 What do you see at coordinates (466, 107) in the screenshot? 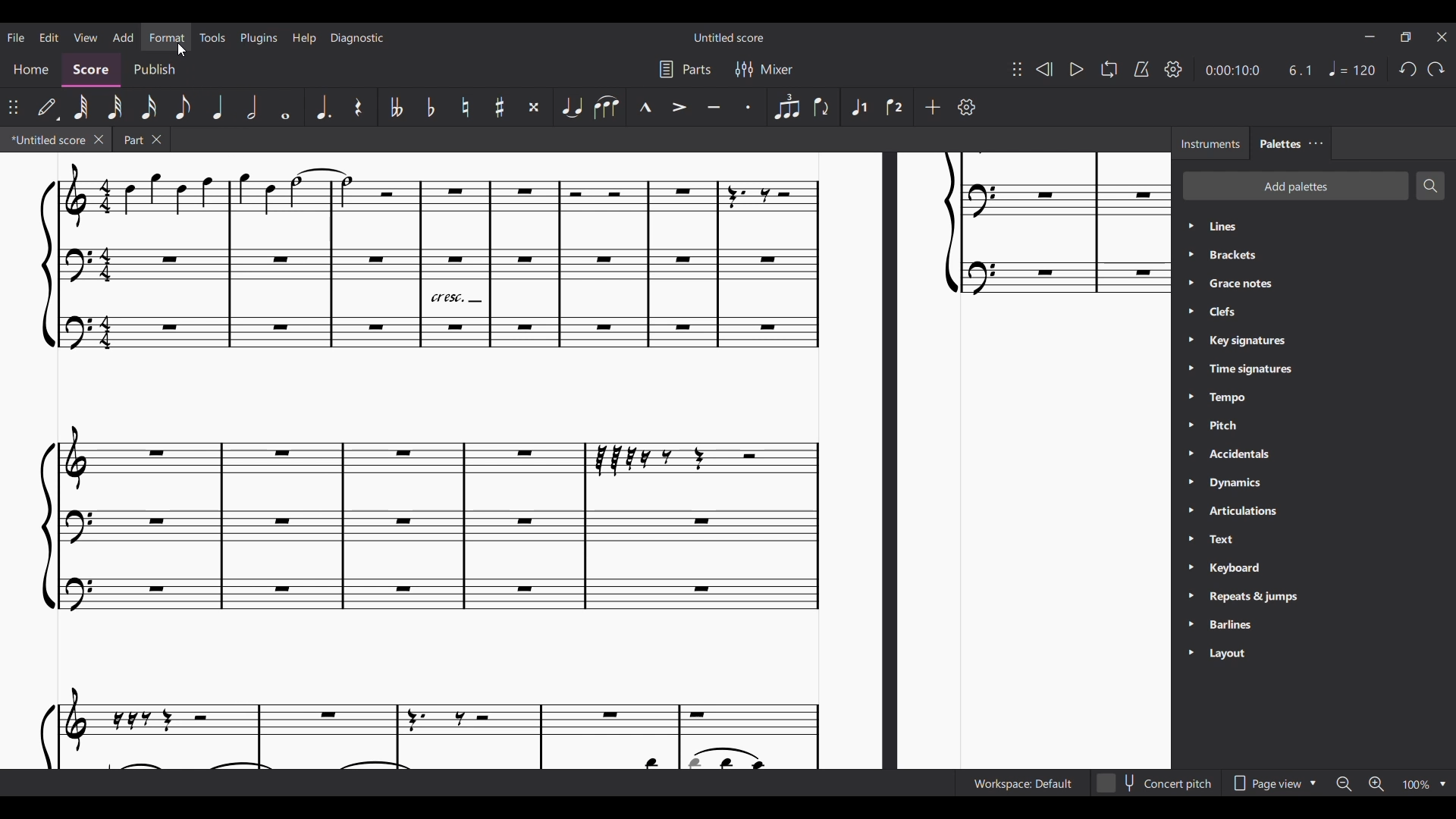
I see `Toggle natural` at bounding box center [466, 107].